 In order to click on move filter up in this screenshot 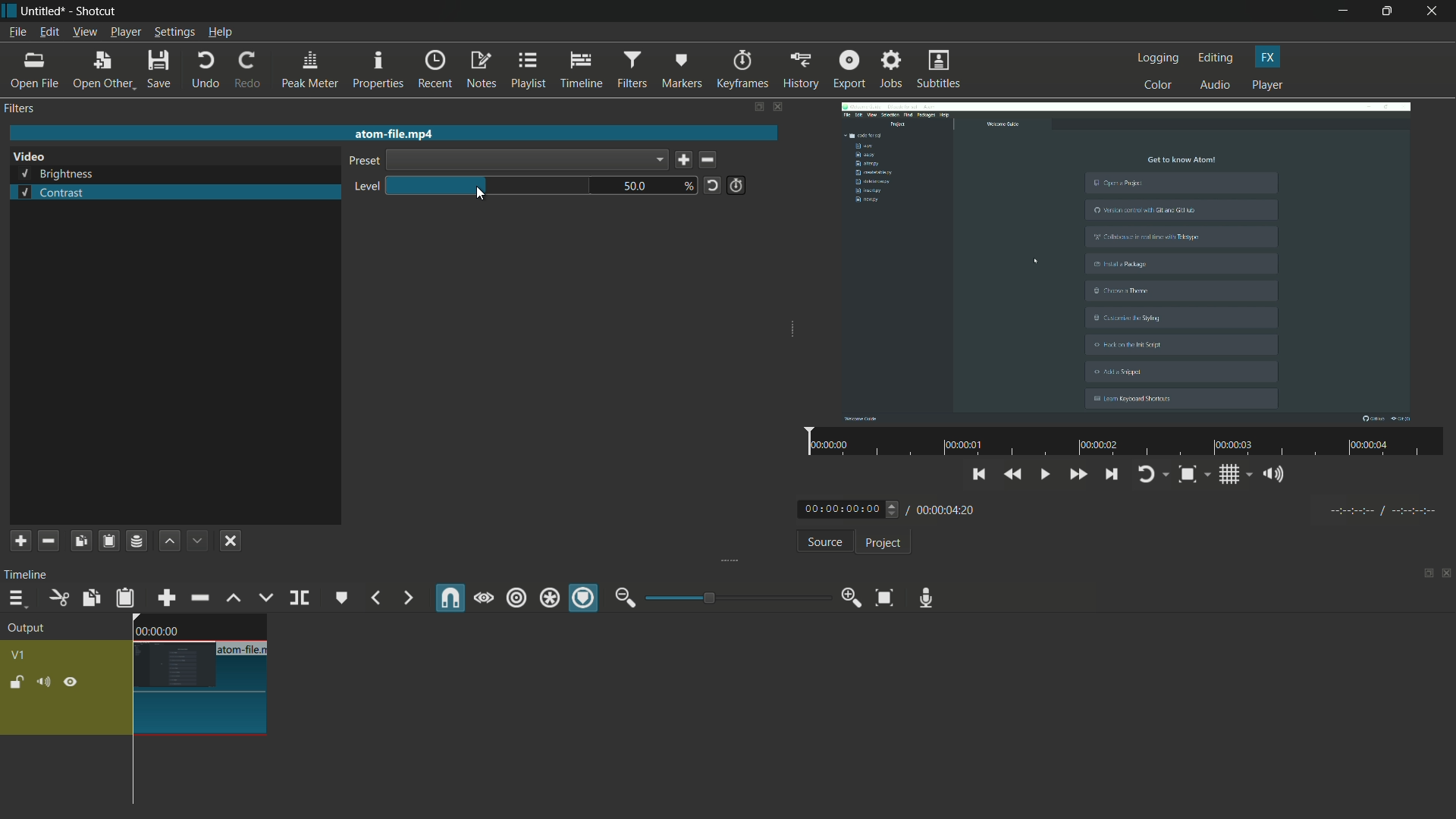, I will do `click(169, 541)`.